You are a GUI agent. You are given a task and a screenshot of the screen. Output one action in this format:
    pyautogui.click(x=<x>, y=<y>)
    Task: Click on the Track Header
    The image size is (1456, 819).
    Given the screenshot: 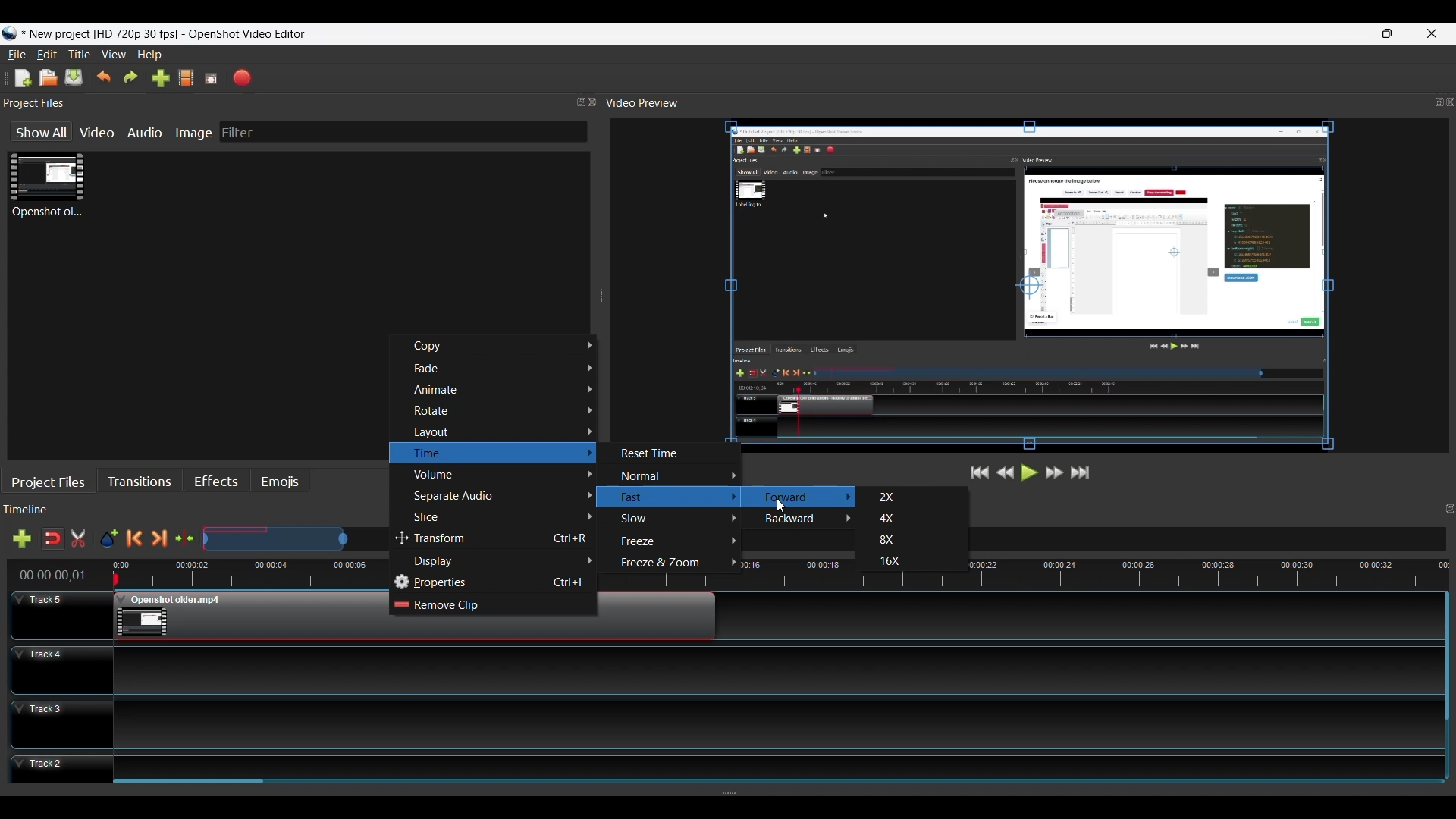 What is the action you would take?
    pyautogui.click(x=63, y=723)
    